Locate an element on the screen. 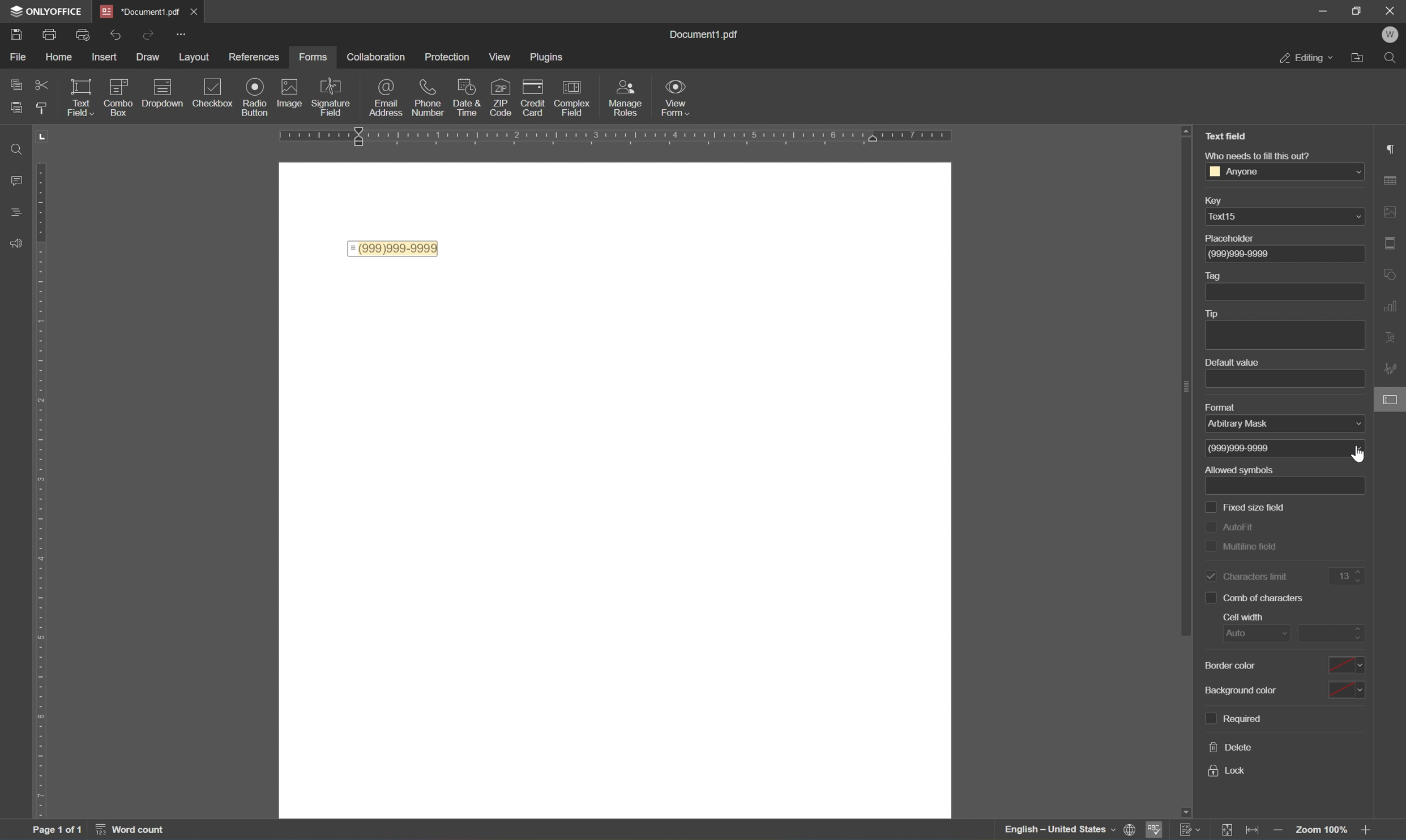  icon is located at coordinates (502, 93).